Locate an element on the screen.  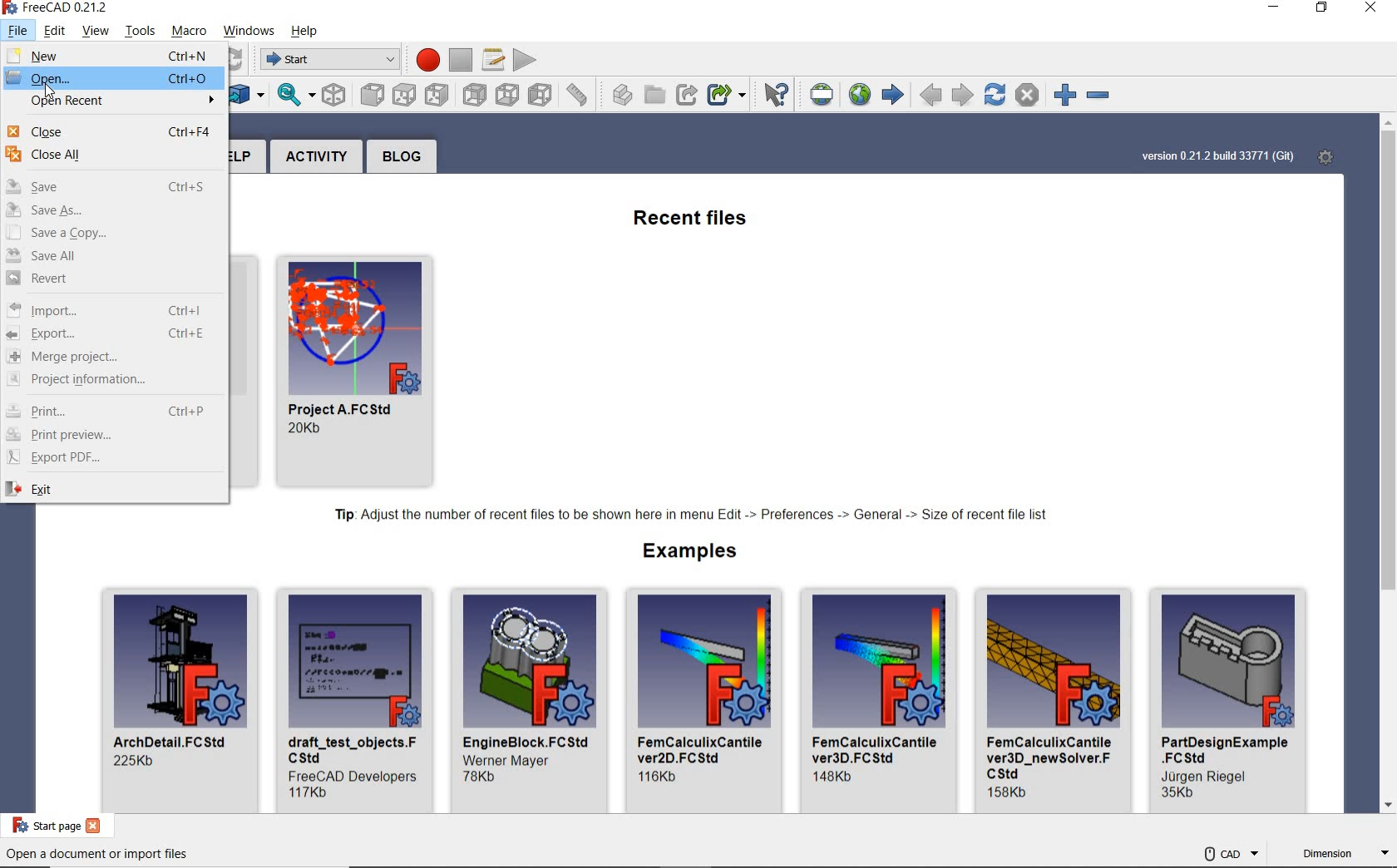
cursor is located at coordinates (49, 91).